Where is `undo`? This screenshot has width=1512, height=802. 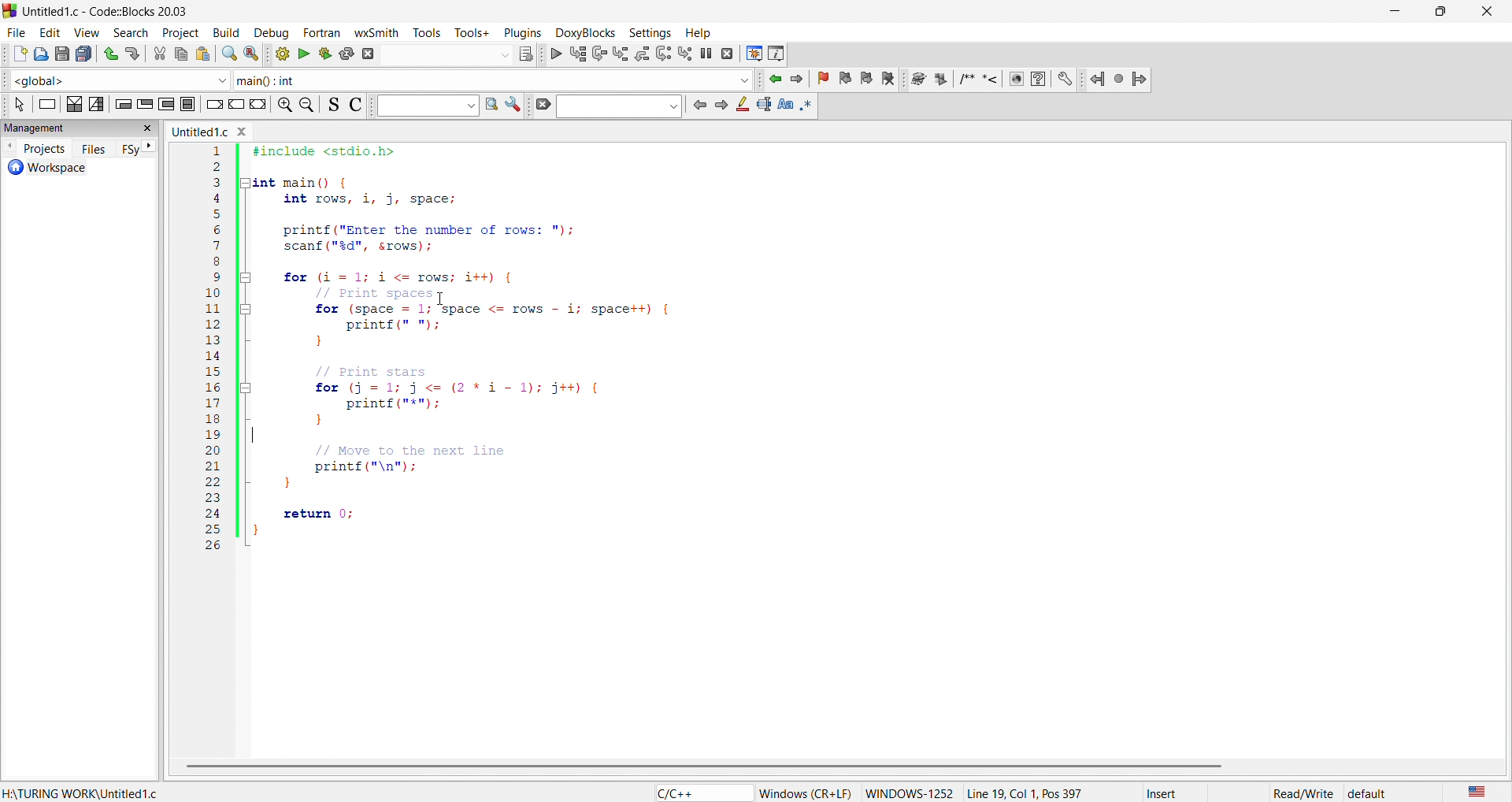
undo is located at coordinates (109, 51).